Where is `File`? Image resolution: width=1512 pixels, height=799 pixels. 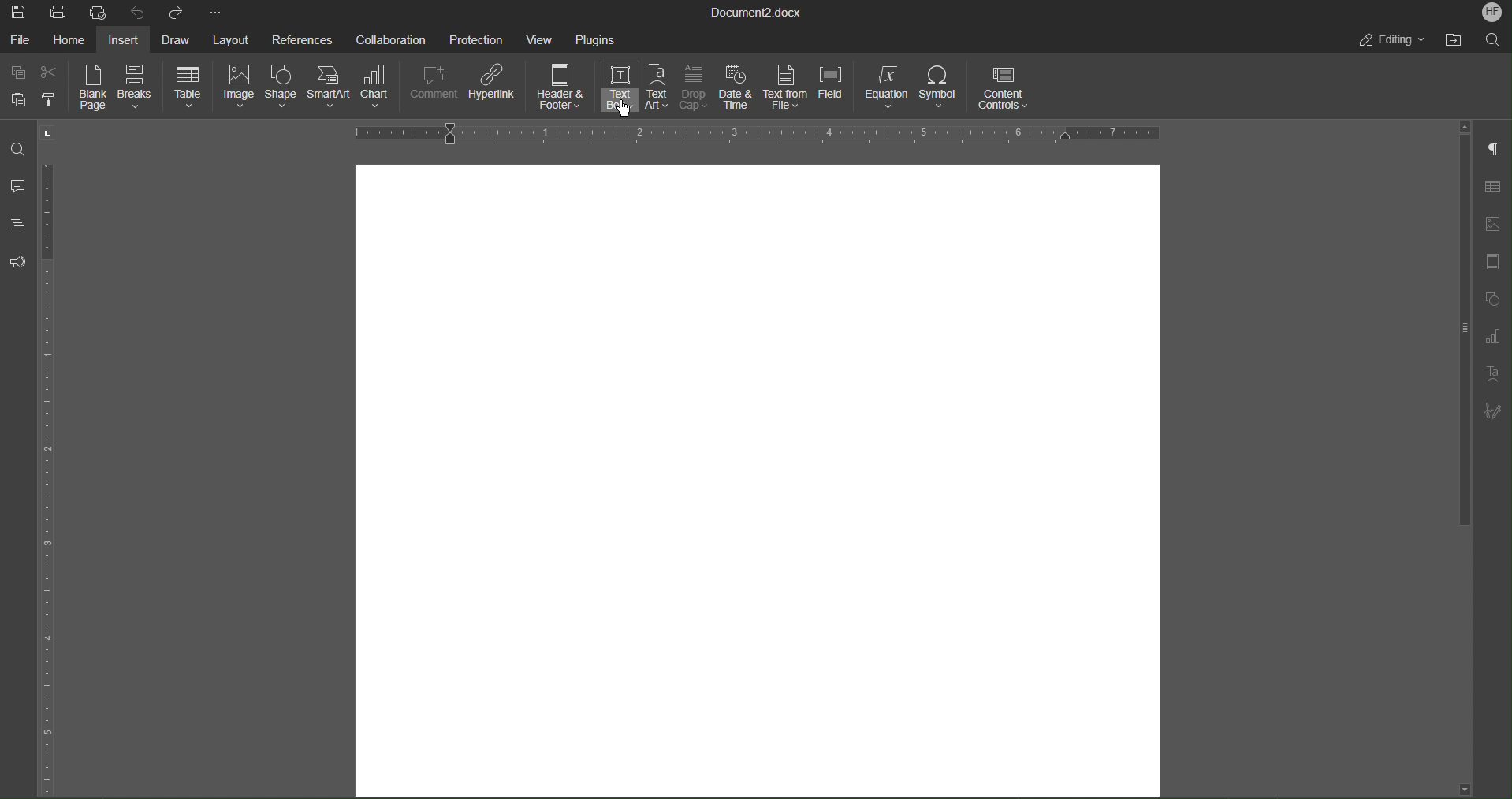 File is located at coordinates (20, 38).